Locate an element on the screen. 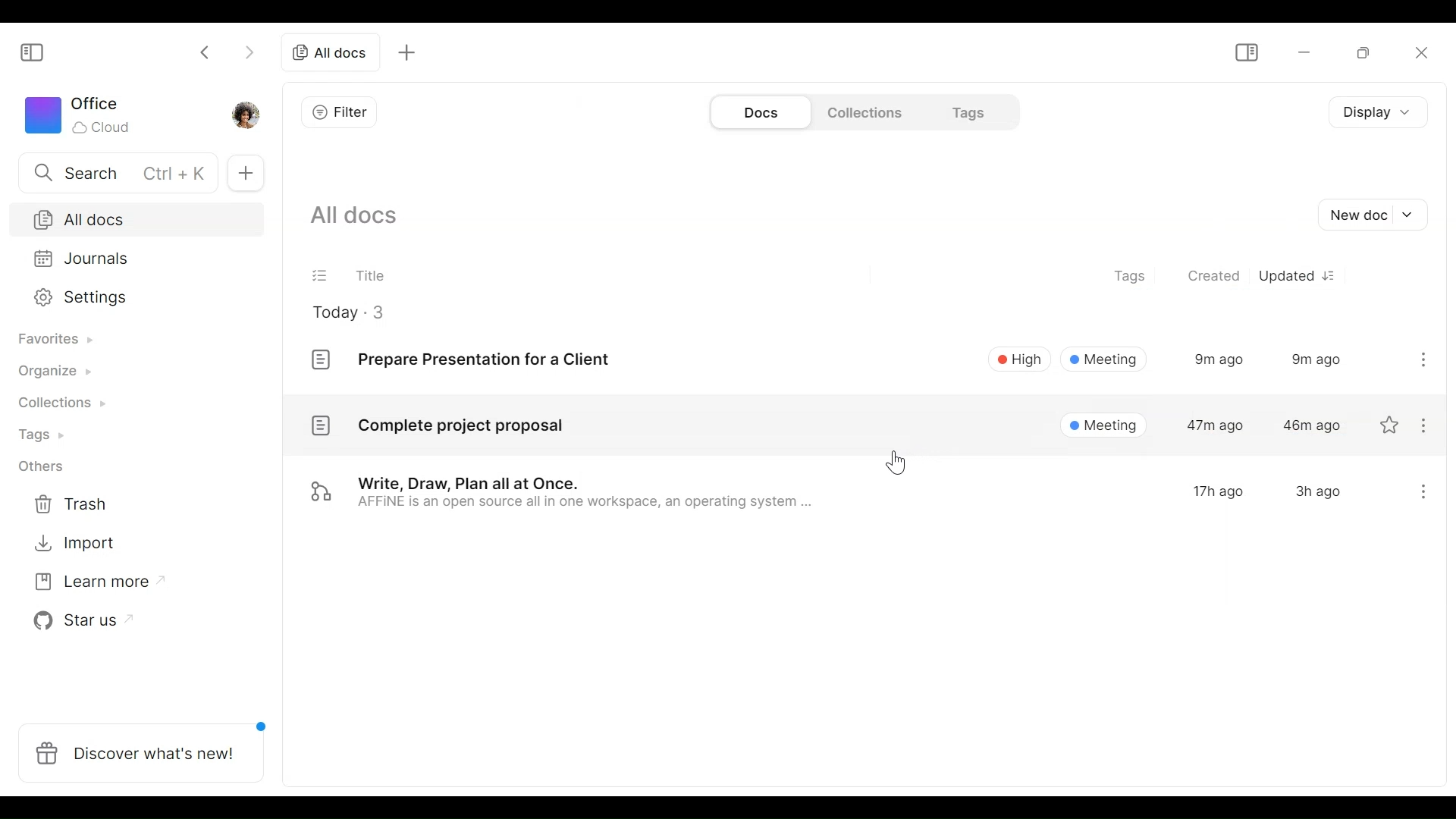 Image resolution: width=1456 pixels, height=819 pixels. Collections is located at coordinates (64, 405).